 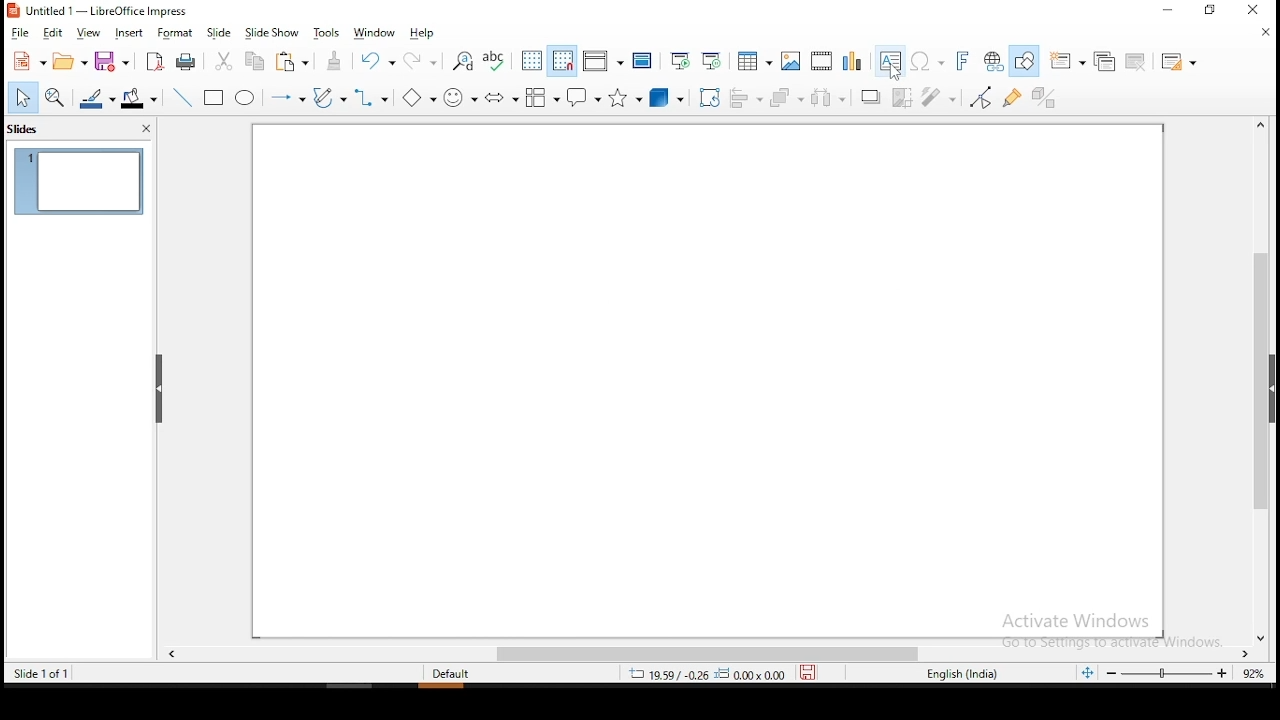 What do you see at coordinates (1181, 57) in the screenshot?
I see `slide layout` at bounding box center [1181, 57].